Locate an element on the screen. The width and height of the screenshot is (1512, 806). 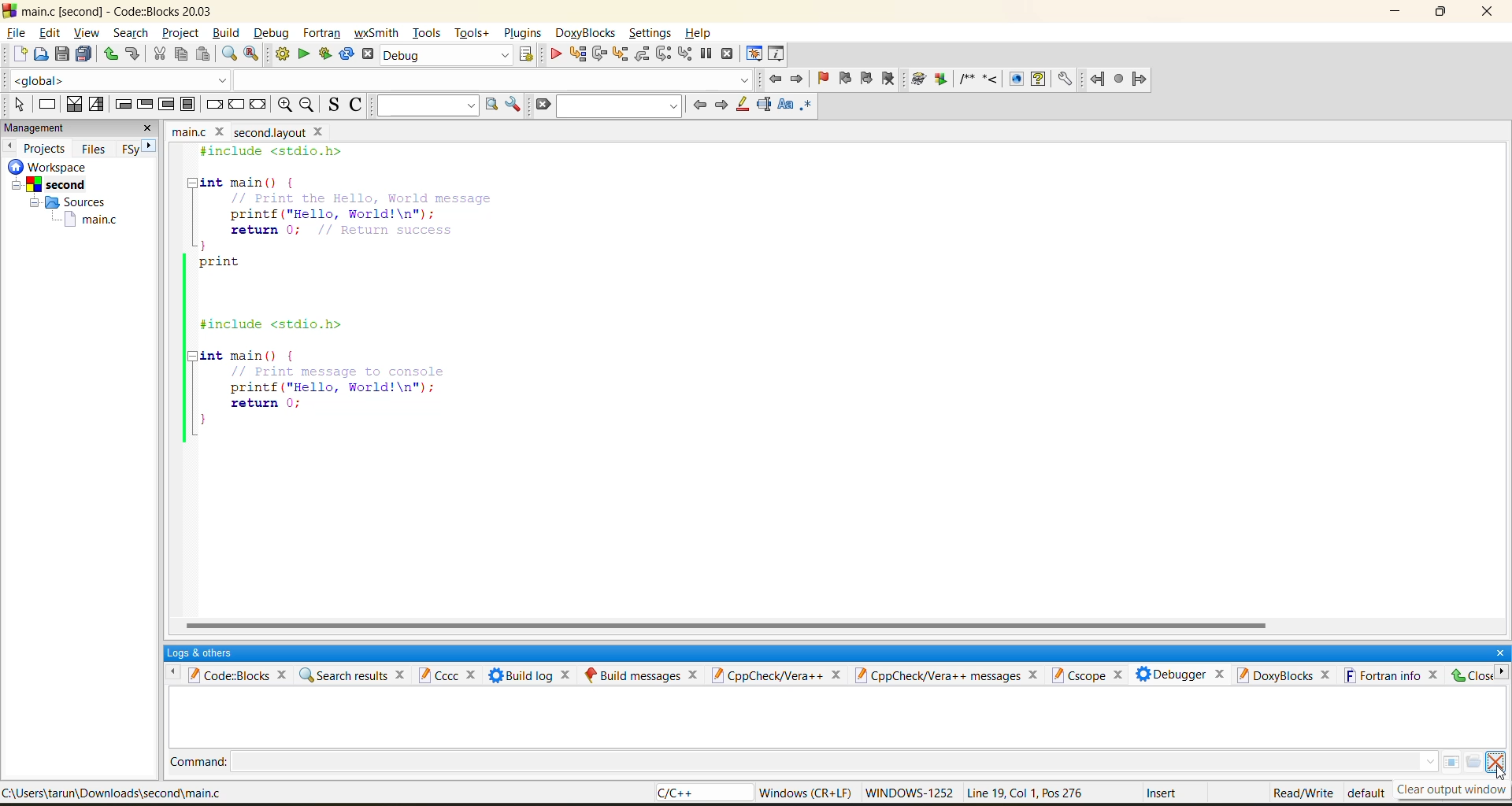
cppcheck/vera++ messages is located at coordinates (951, 675).